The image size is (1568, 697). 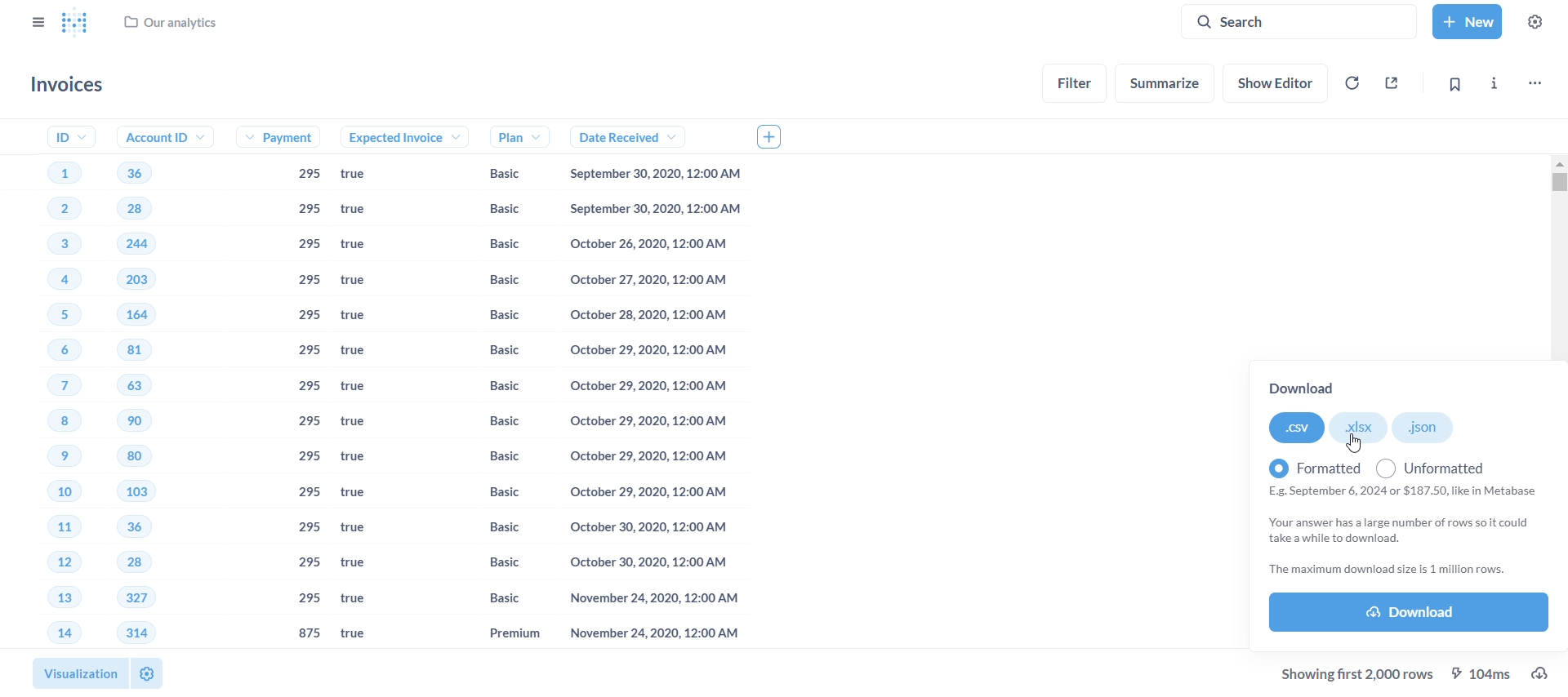 What do you see at coordinates (310, 458) in the screenshot?
I see `295` at bounding box center [310, 458].